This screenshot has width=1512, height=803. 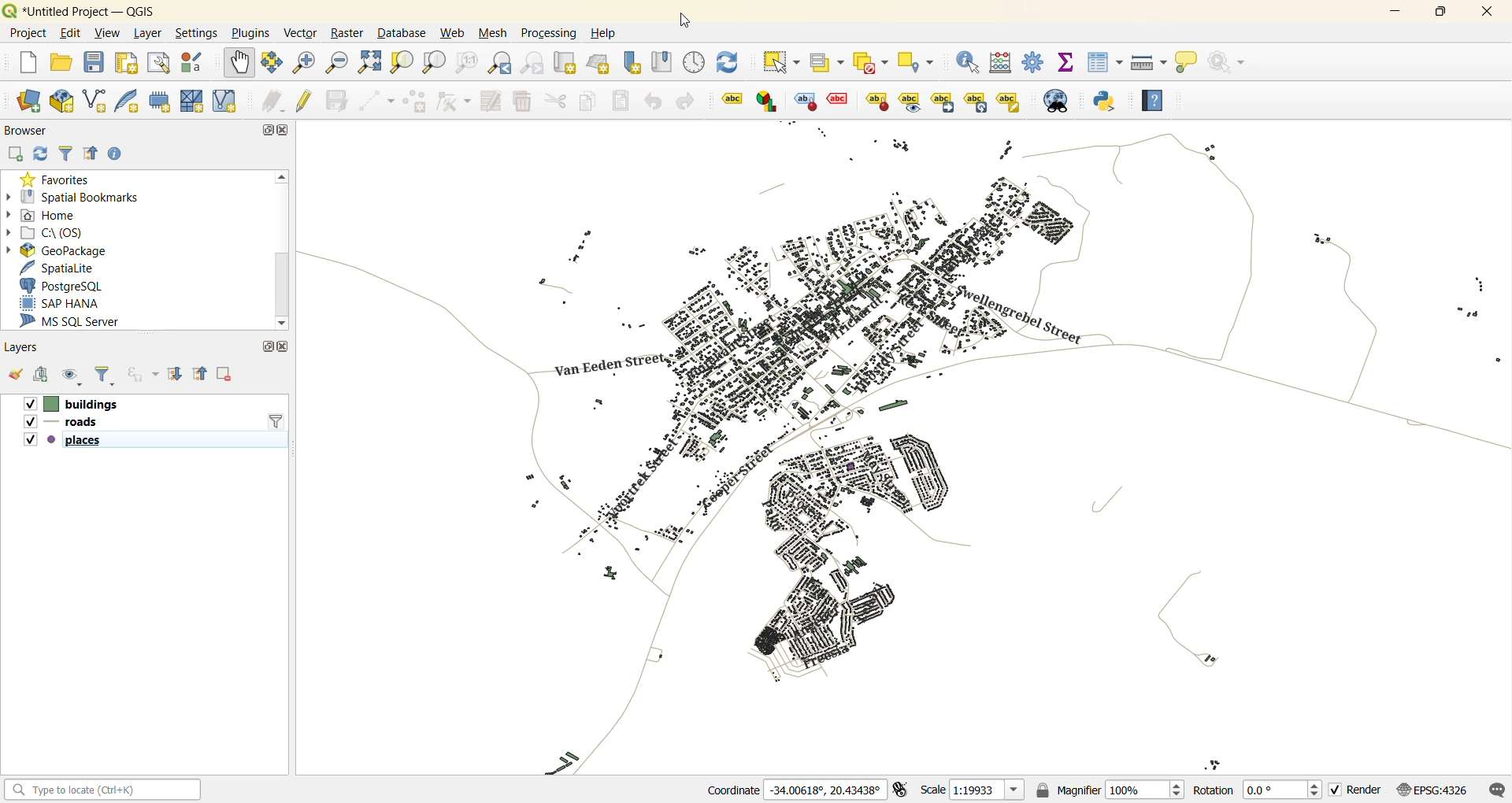 I want to click on scroll up, so click(x=283, y=178).